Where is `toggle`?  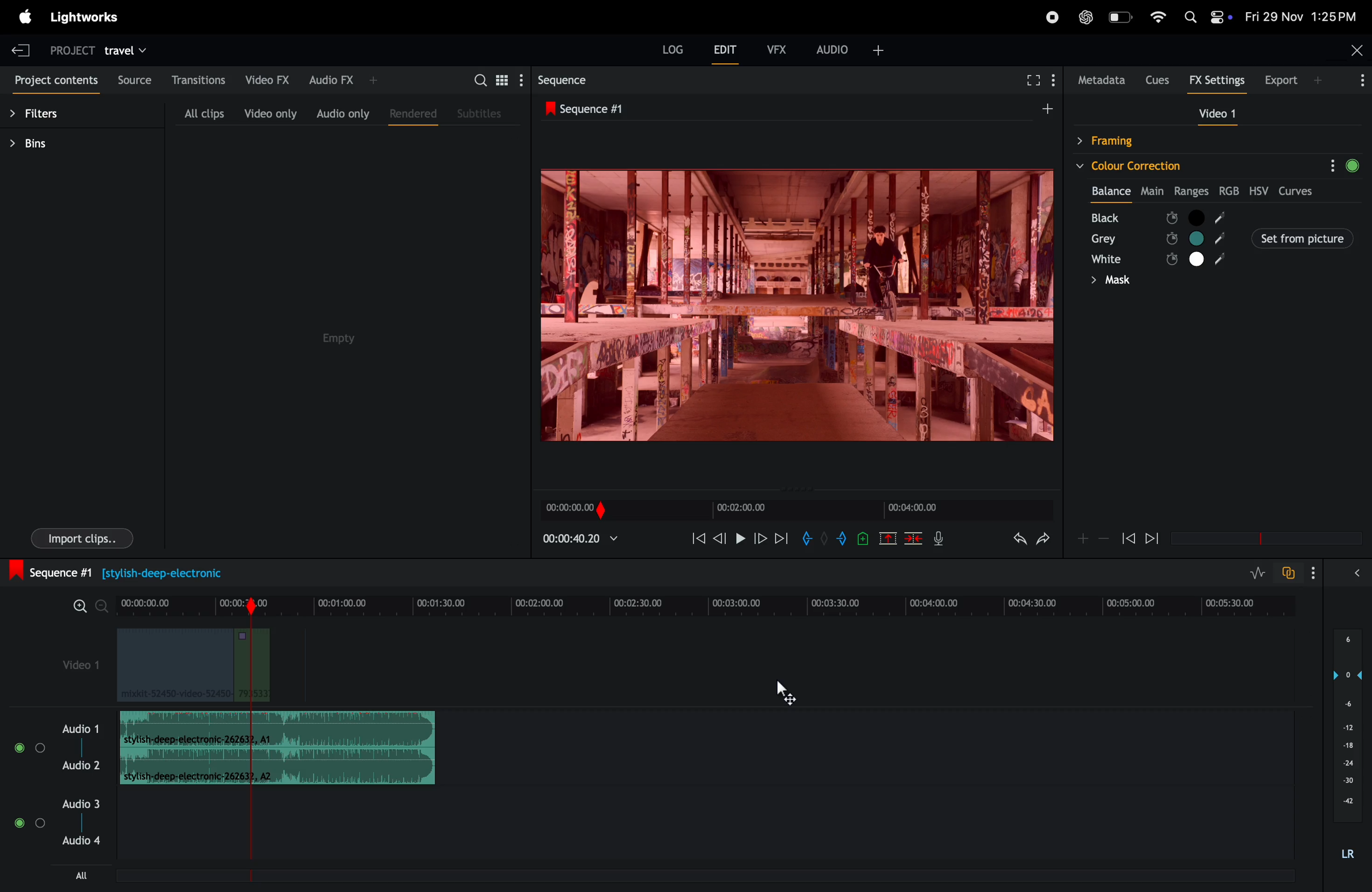 toggle is located at coordinates (18, 748).